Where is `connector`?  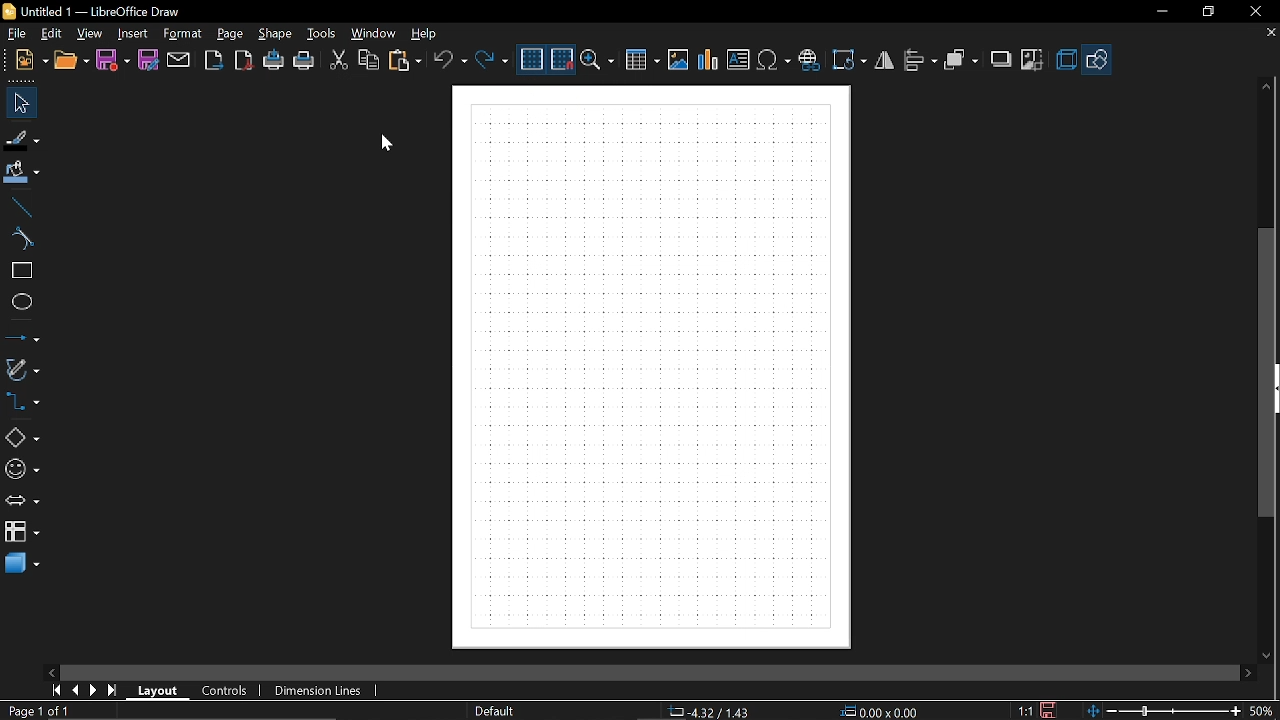 connector is located at coordinates (22, 407).